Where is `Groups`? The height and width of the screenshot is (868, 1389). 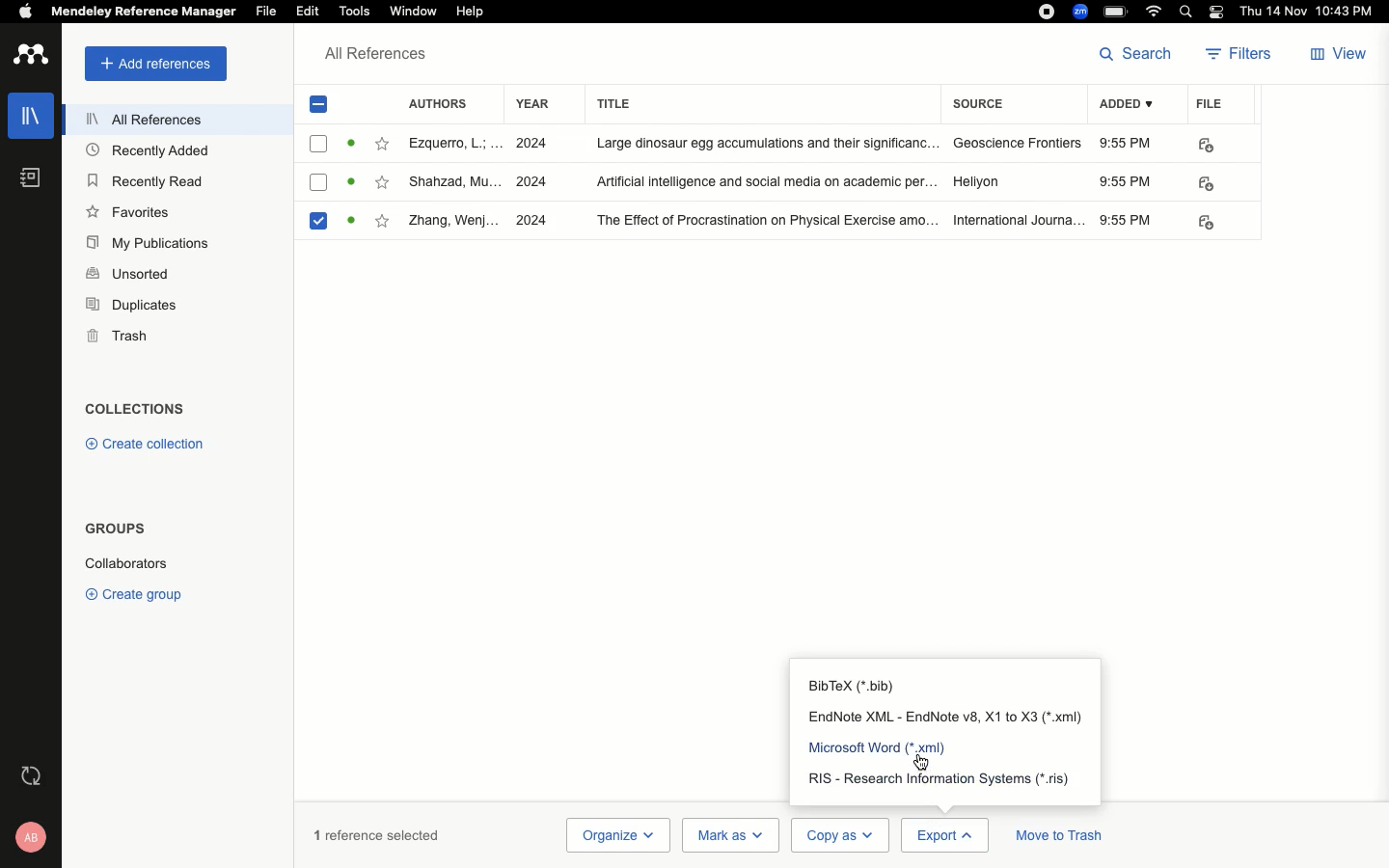 Groups is located at coordinates (114, 529).